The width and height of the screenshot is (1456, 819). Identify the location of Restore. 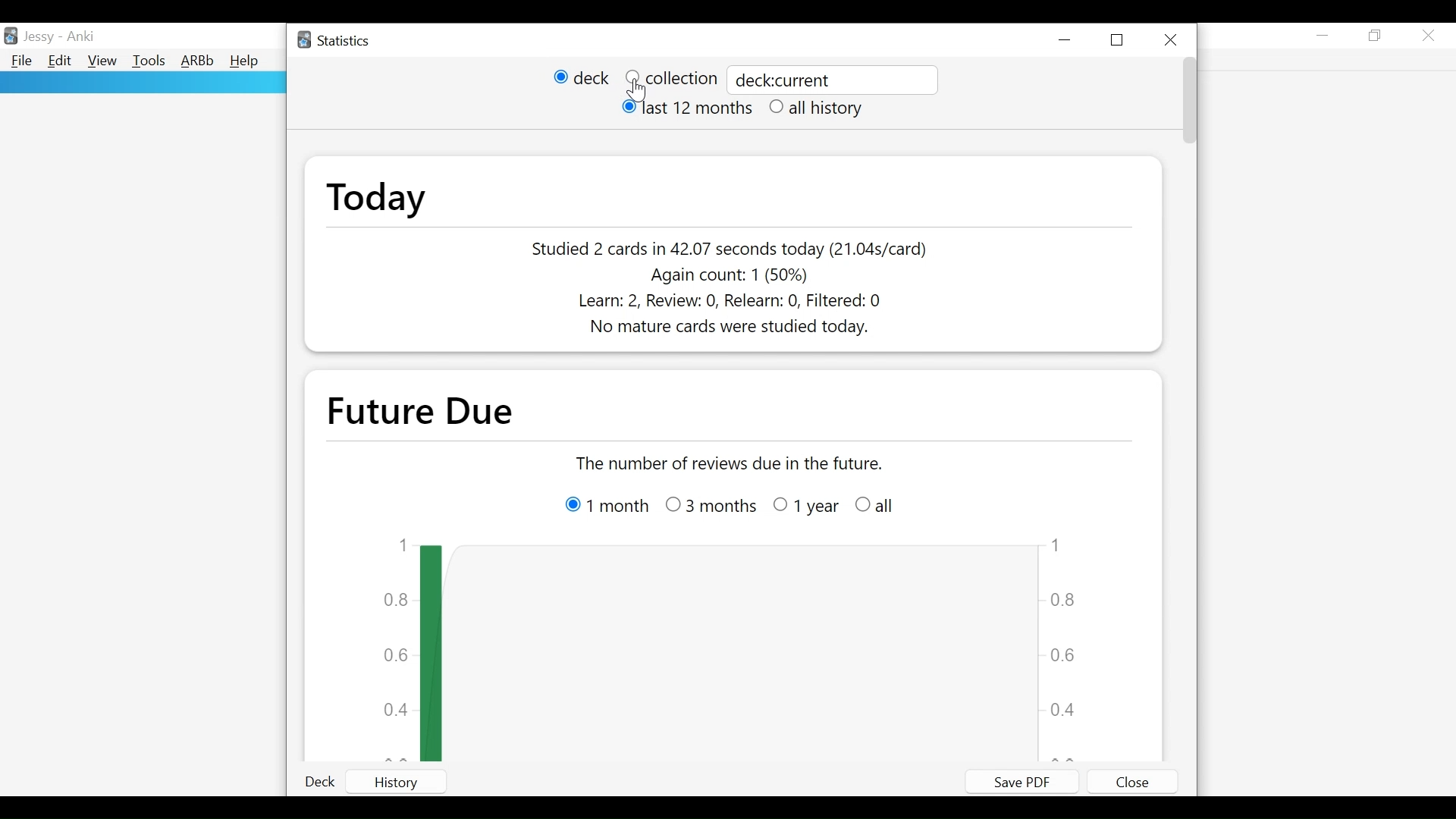
(1120, 39).